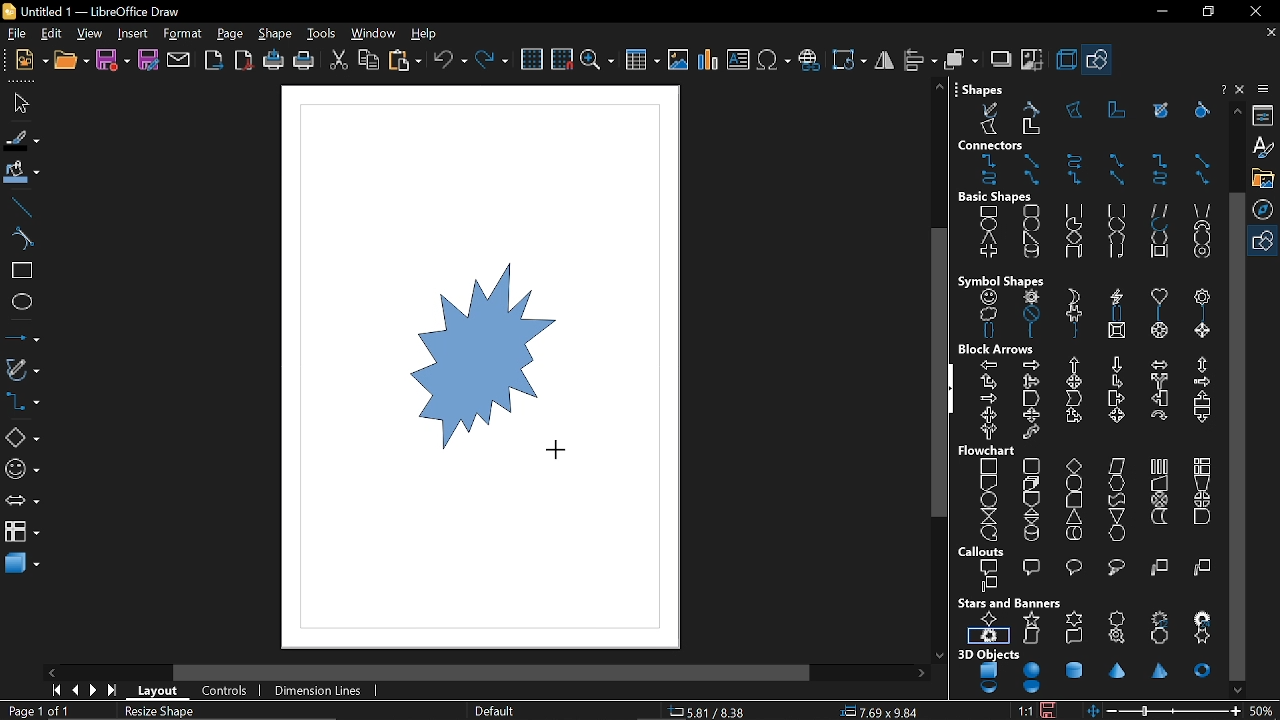 The image size is (1280, 720). Describe the element at coordinates (17, 35) in the screenshot. I see `File` at that location.